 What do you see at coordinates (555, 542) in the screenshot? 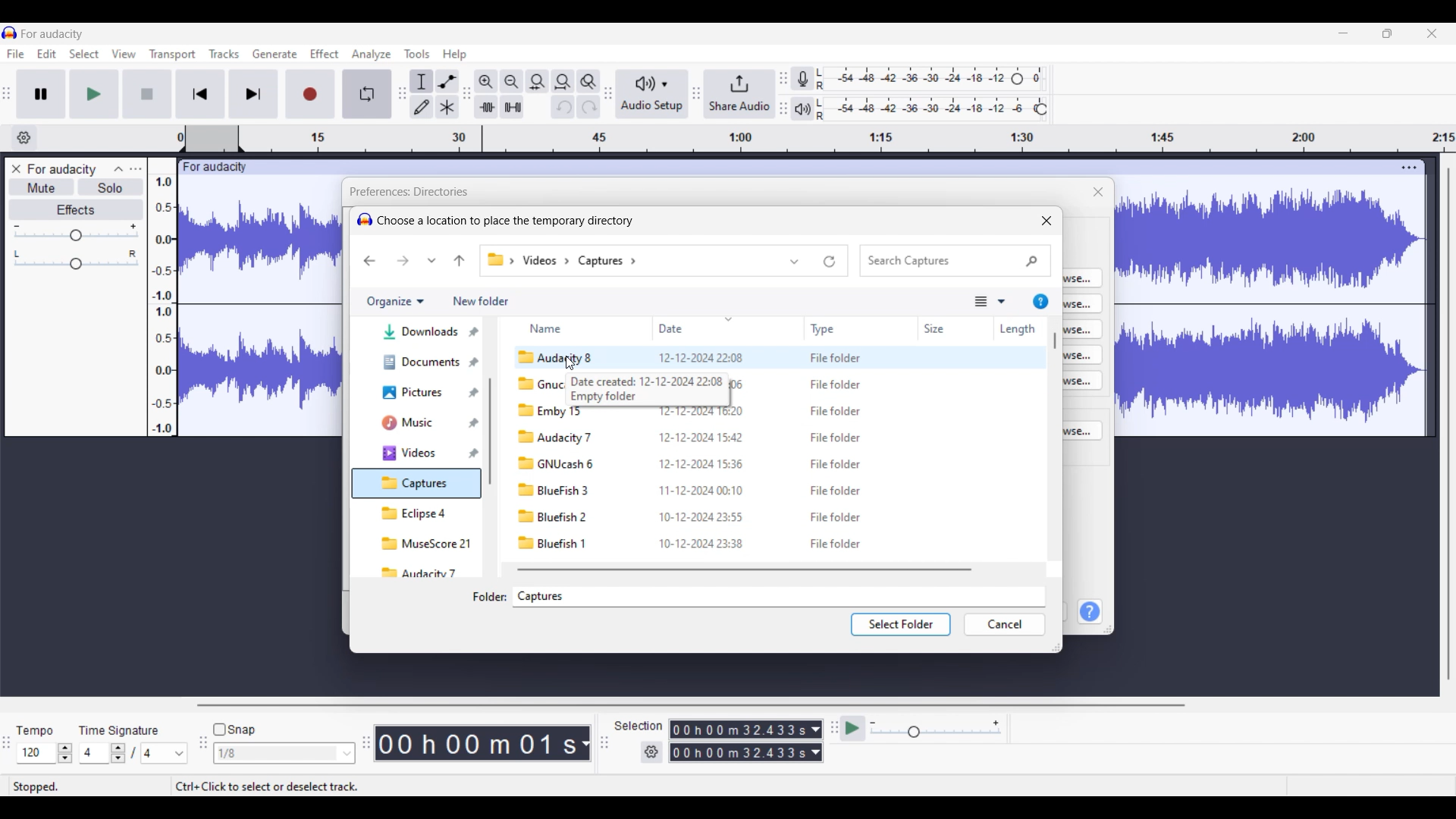
I see `bluefish 1` at bounding box center [555, 542].